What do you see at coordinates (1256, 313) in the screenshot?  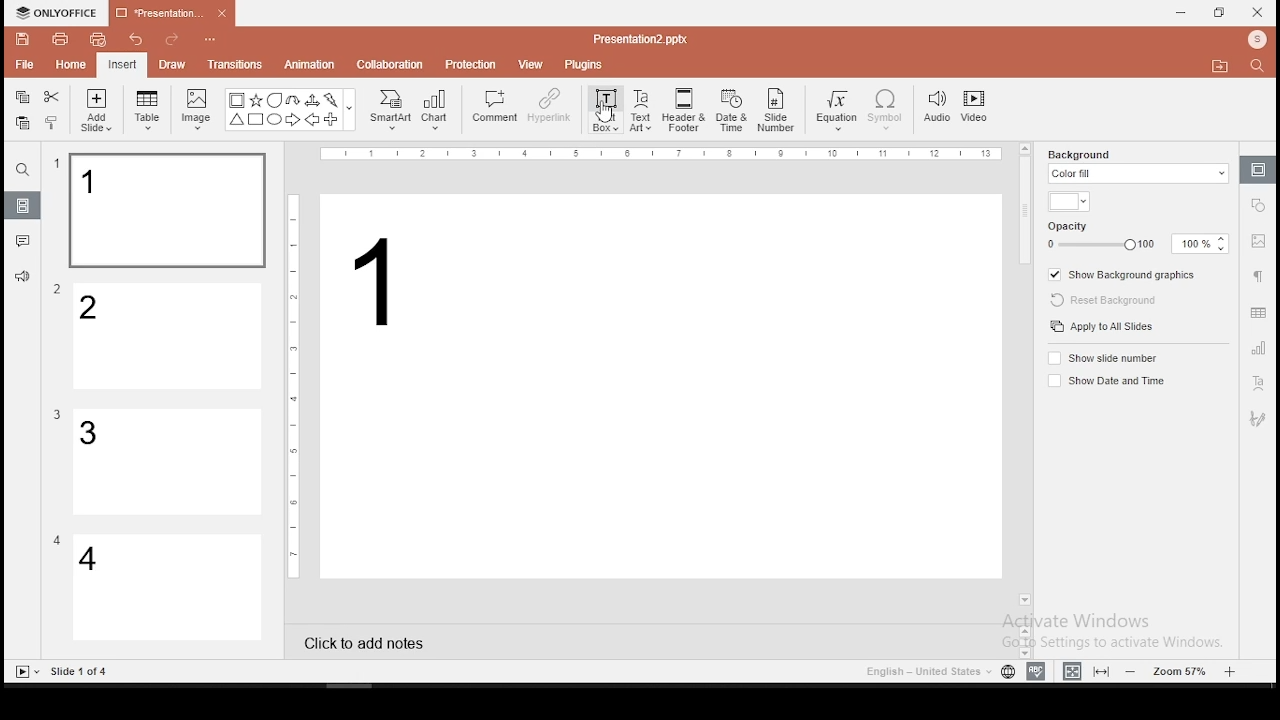 I see `table settings` at bounding box center [1256, 313].